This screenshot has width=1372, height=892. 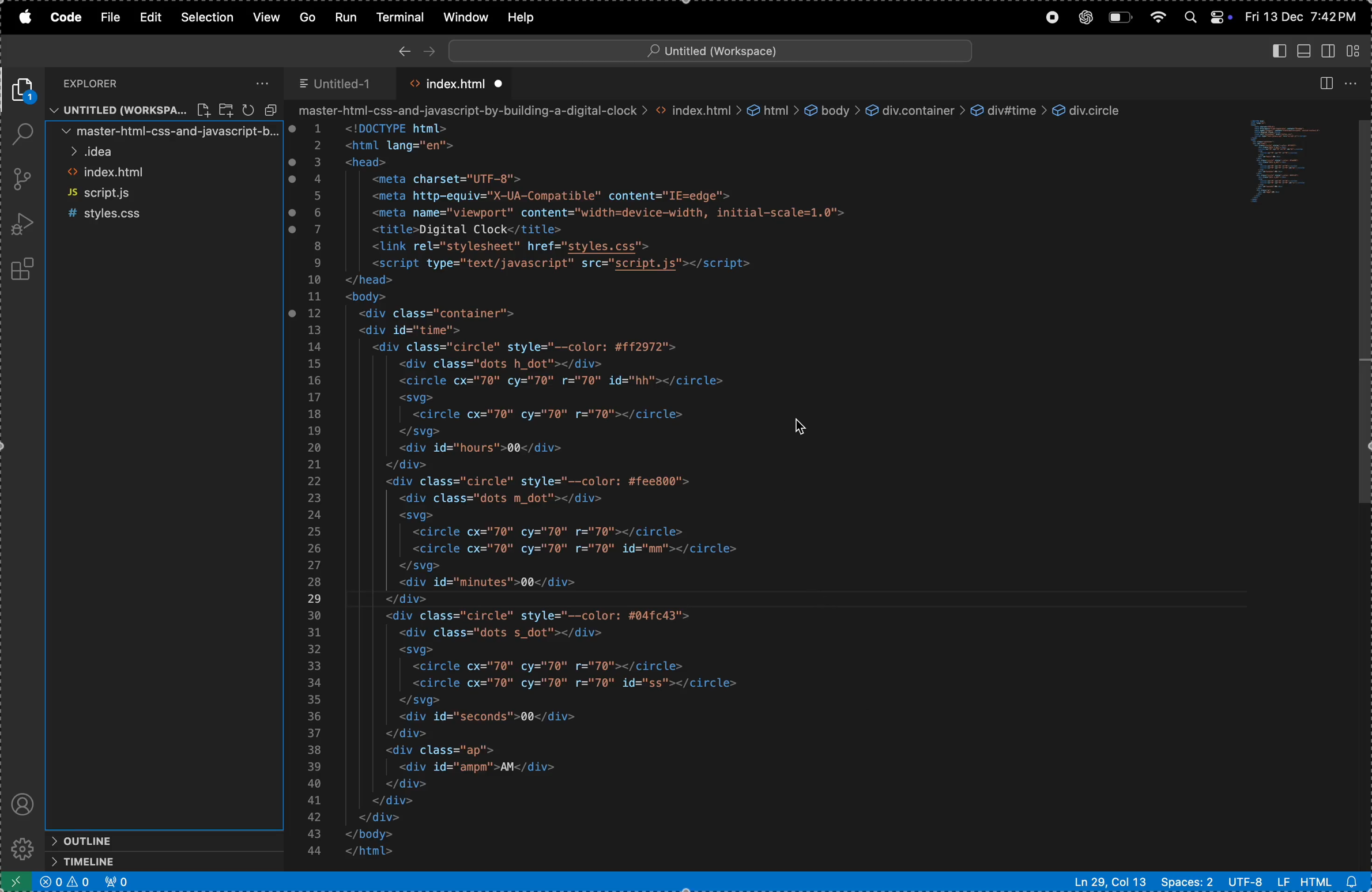 What do you see at coordinates (22, 180) in the screenshot?
I see `source control` at bounding box center [22, 180].